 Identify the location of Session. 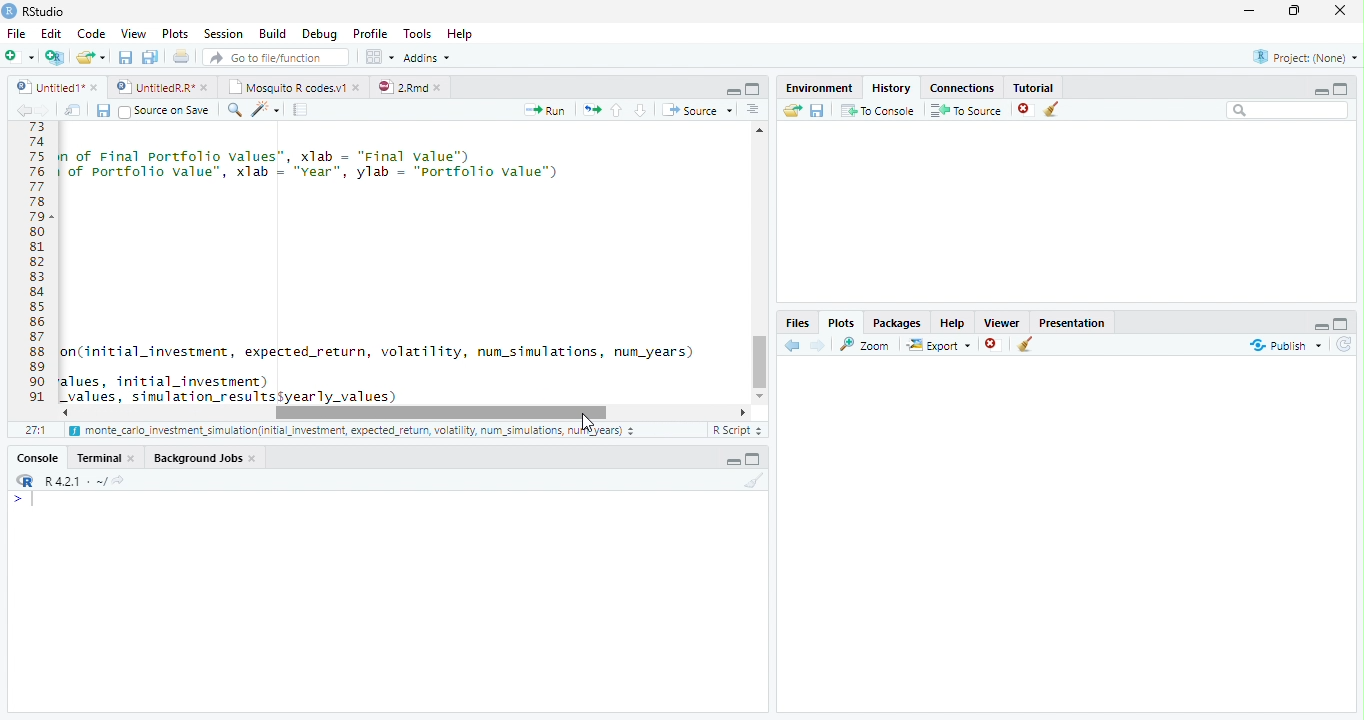
(222, 33).